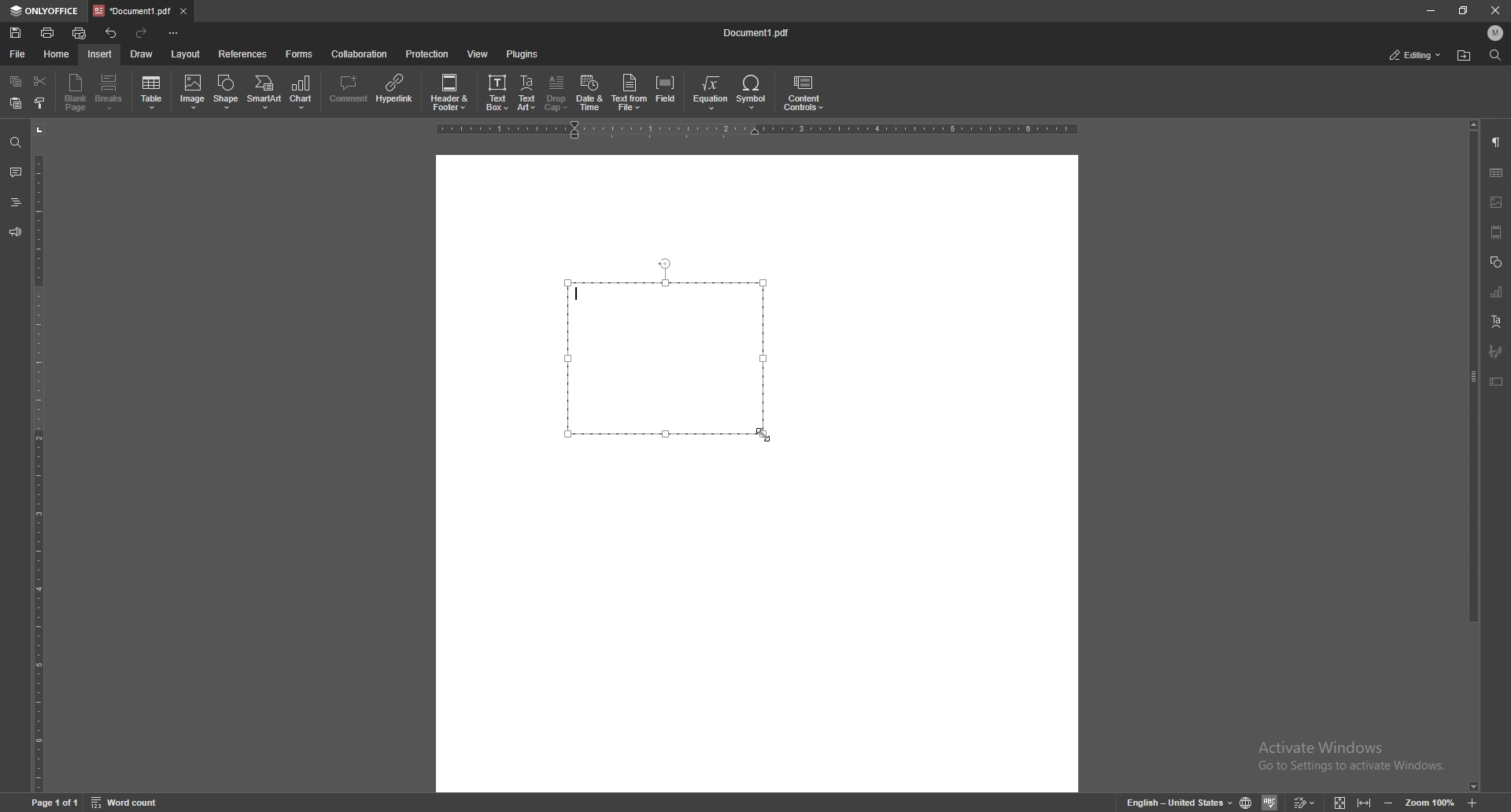  I want to click on find, so click(14, 143).